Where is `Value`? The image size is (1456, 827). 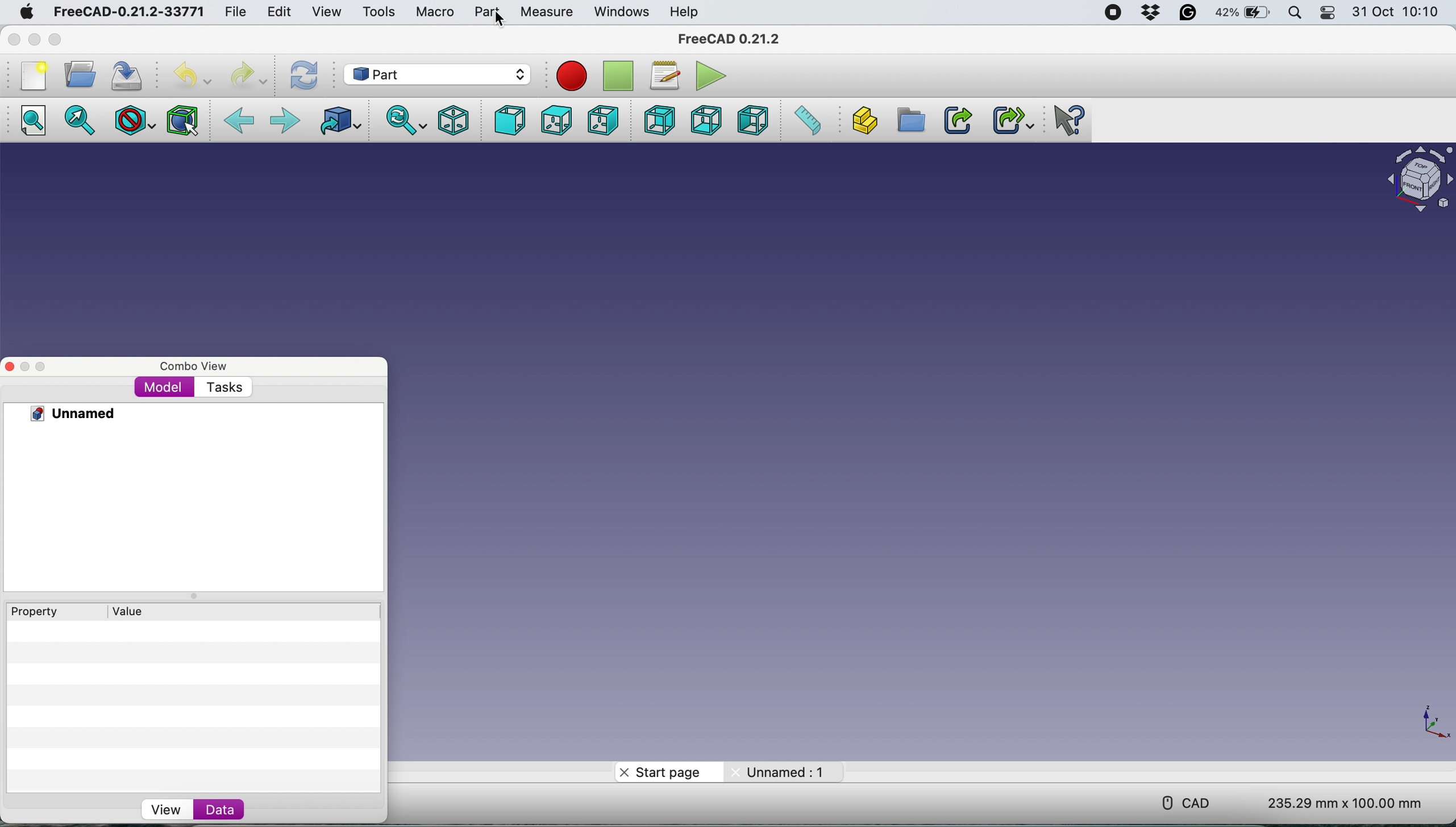 Value is located at coordinates (131, 611).